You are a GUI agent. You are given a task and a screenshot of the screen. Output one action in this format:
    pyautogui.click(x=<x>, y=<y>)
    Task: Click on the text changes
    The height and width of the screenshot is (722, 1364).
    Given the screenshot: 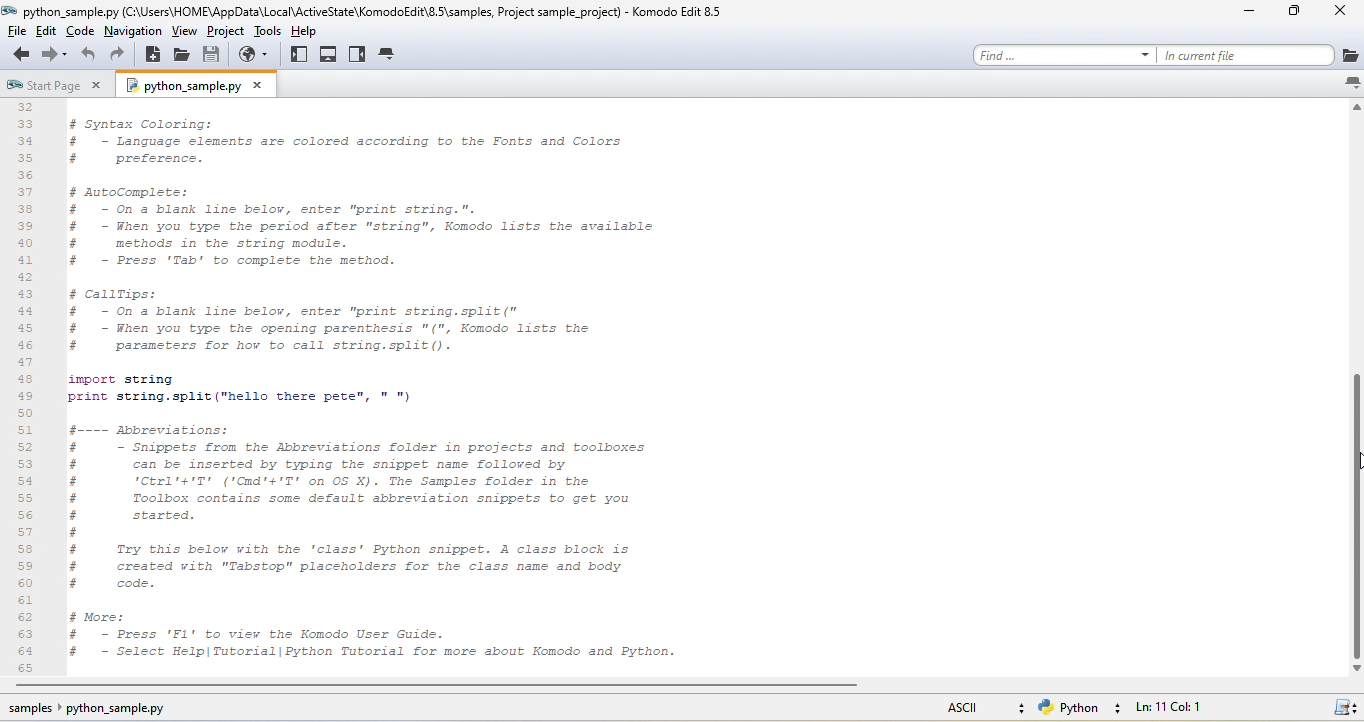 What is the action you would take?
    pyautogui.click(x=405, y=386)
    